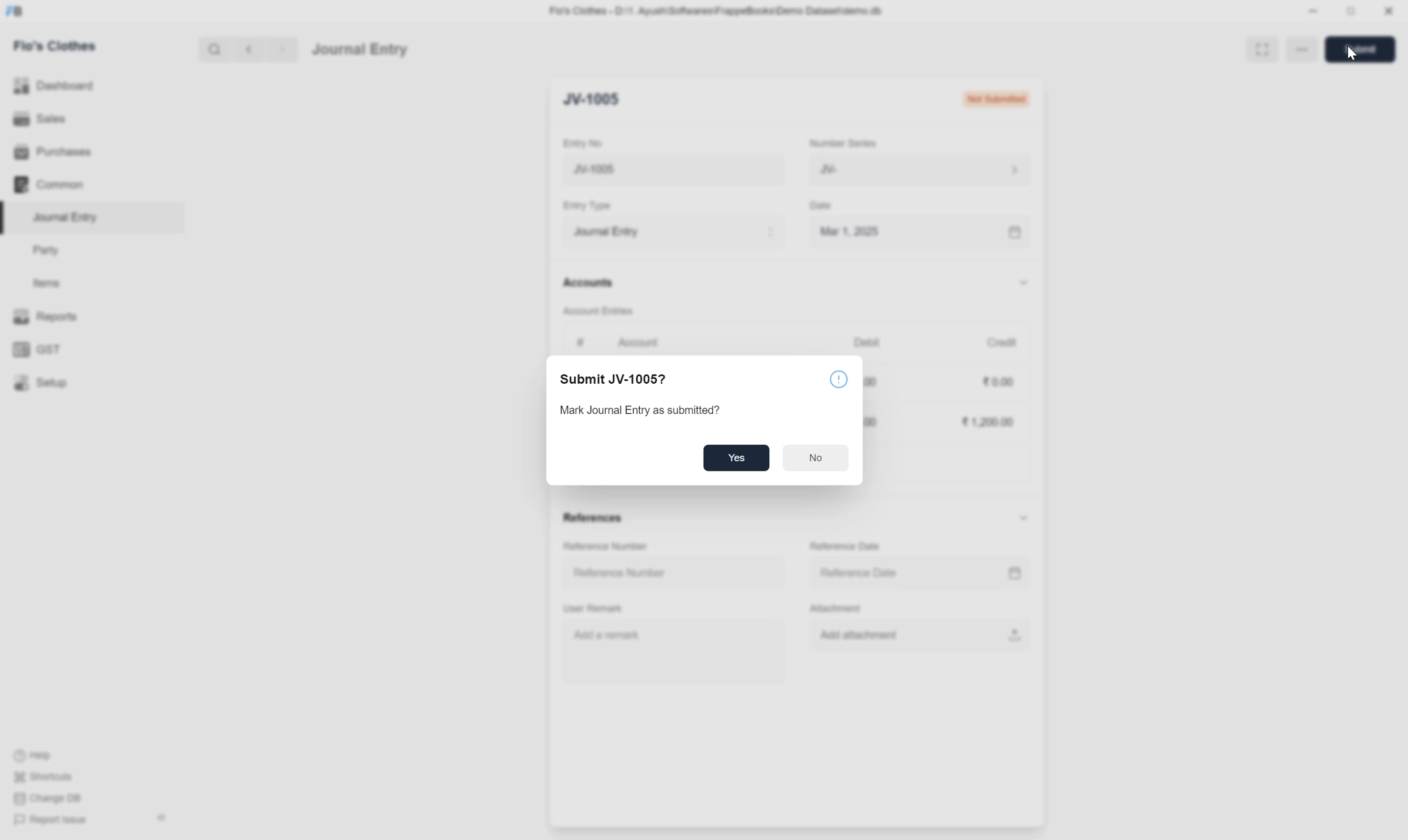 This screenshot has width=1408, height=840. Describe the element at coordinates (599, 310) in the screenshot. I see `Account Entries` at that location.